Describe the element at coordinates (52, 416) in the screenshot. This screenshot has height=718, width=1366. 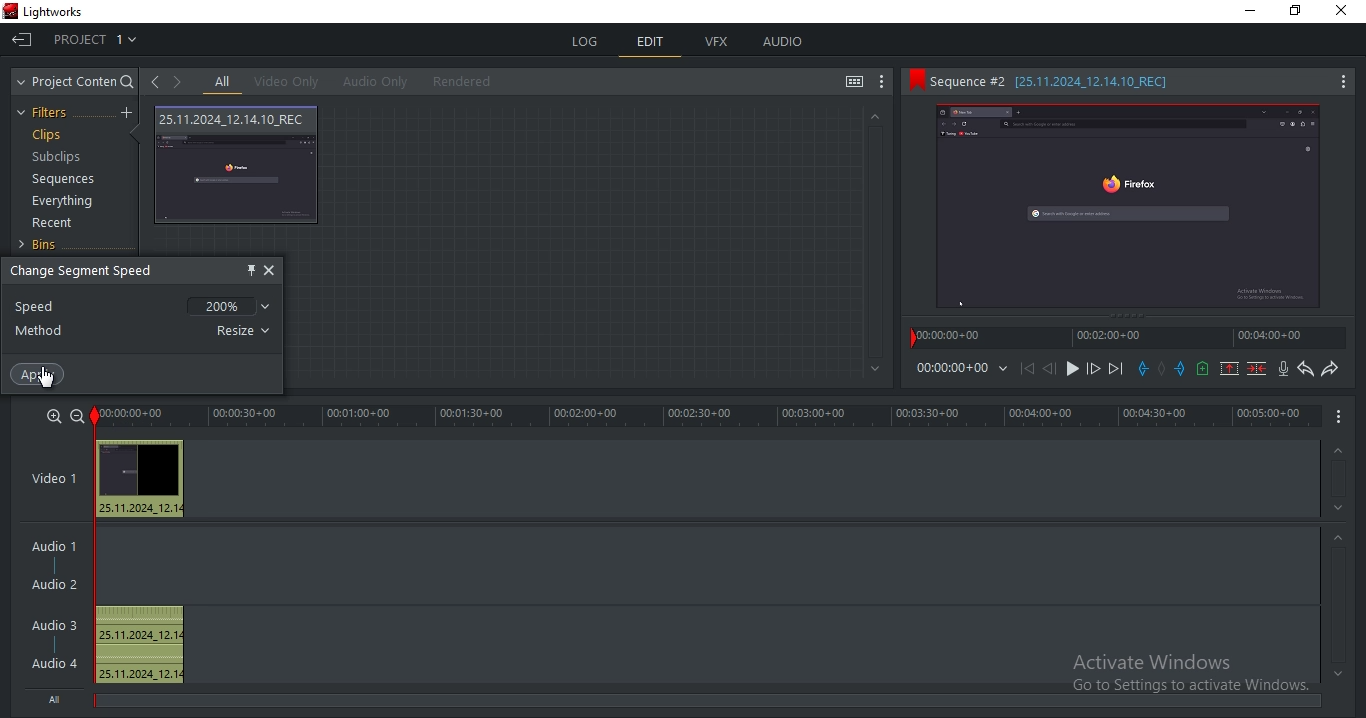
I see `zoom in` at that location.